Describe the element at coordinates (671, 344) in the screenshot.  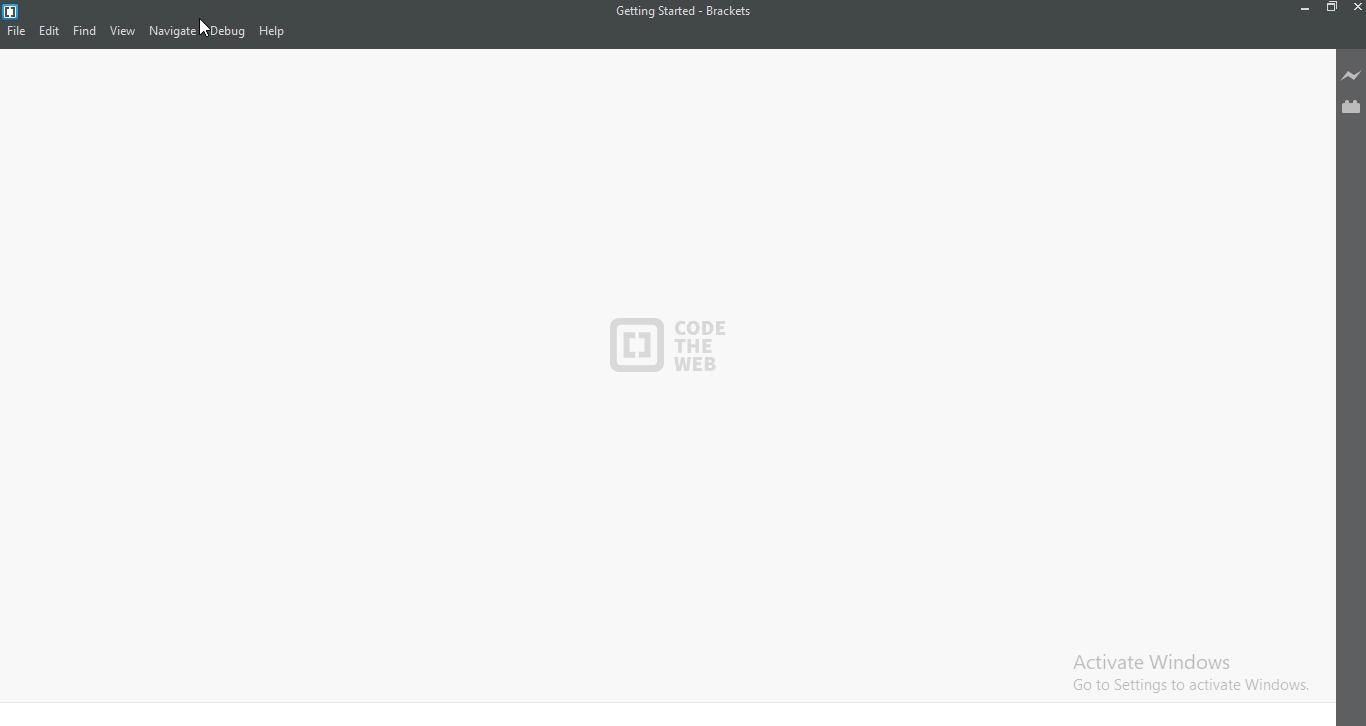
I see `logo` at that location.